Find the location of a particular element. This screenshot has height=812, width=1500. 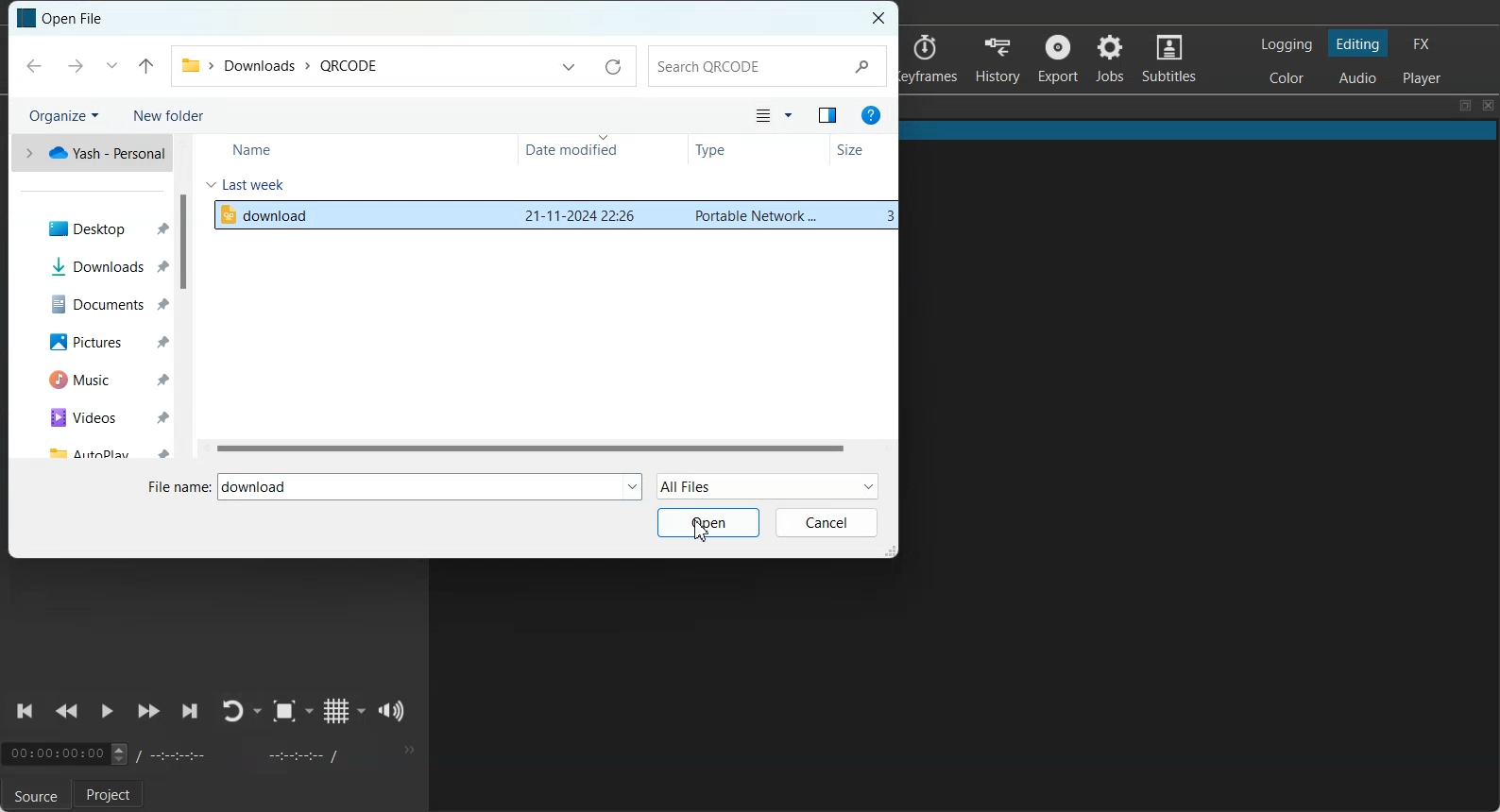

Auto play is located at coordinates (99, 452).